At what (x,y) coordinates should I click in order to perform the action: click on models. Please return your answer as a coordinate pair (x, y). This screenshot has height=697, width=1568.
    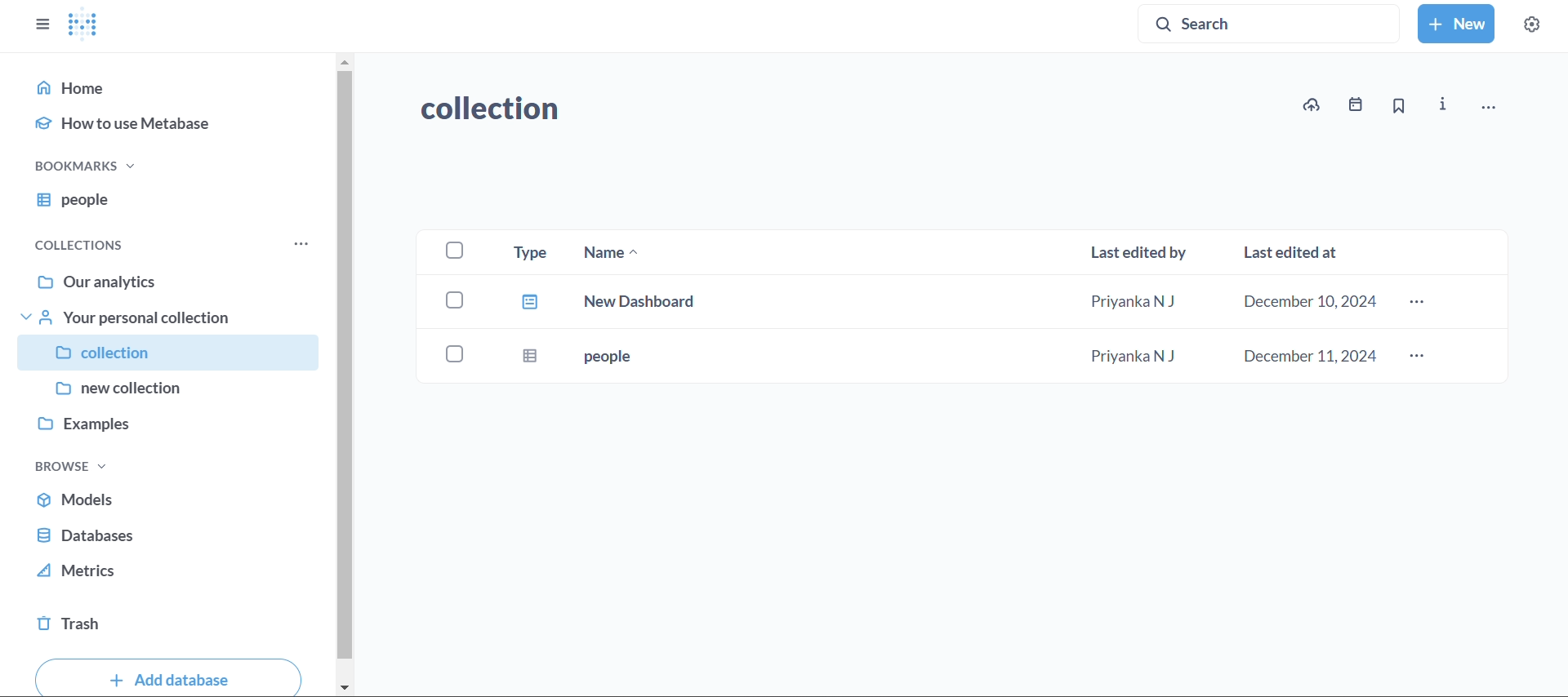
    Looking at the image, I should click on (163, 495).